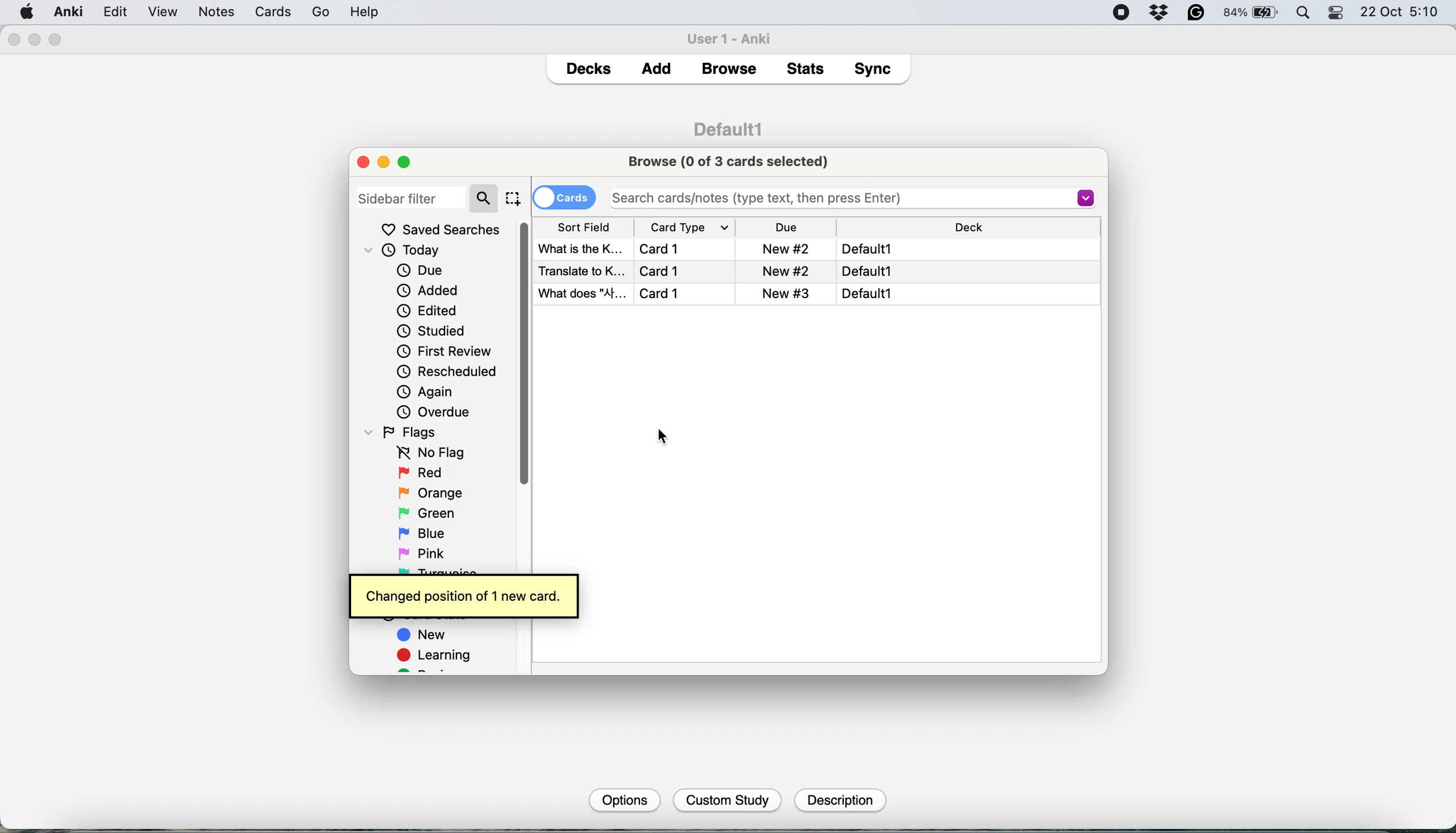 This screenshot has height=833, width=1456. Describe the element at coordinates (970, 228) in the screenshot. I see `Deck` at that location.